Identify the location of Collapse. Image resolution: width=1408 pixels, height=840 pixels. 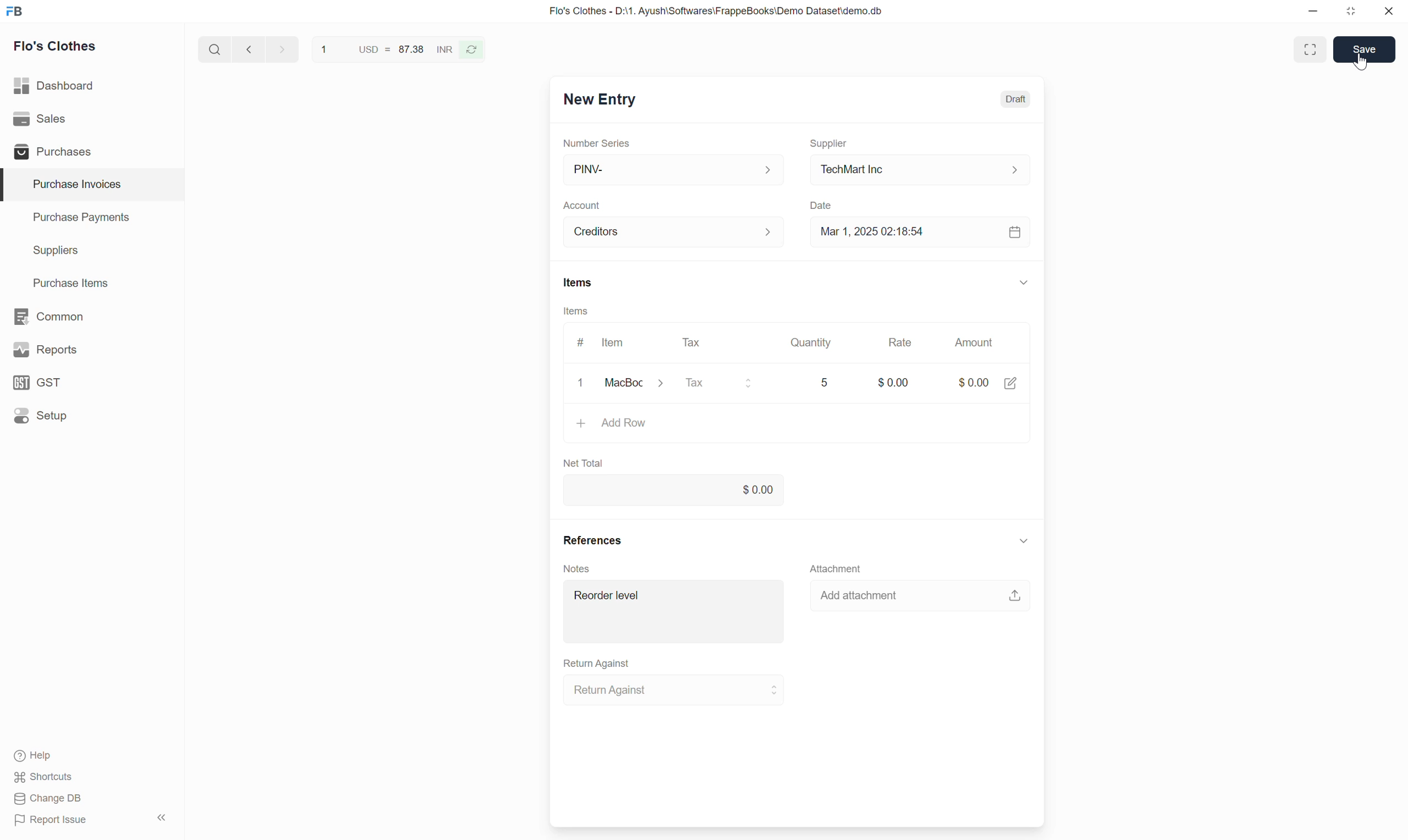
(1024, 282).